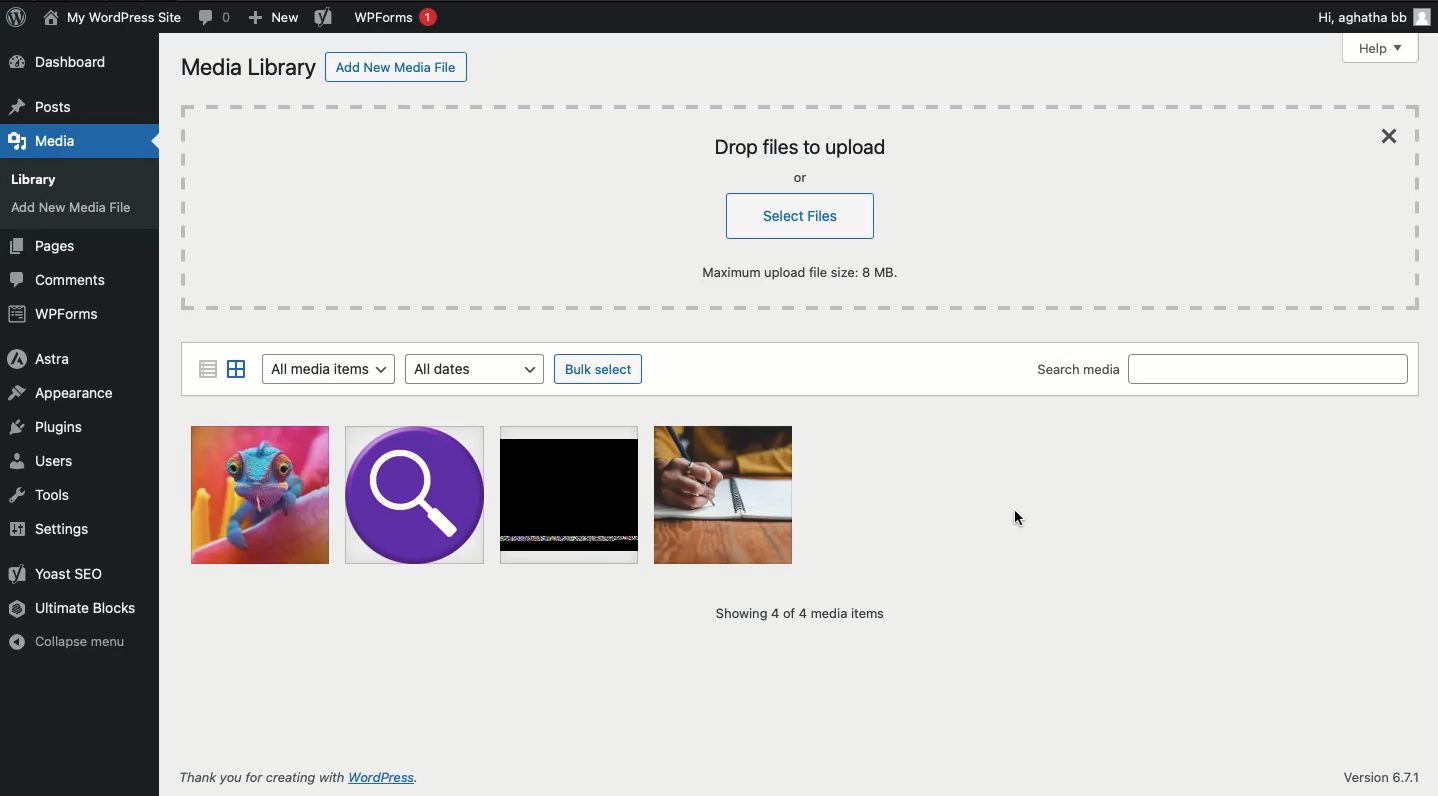 The height and width of the screenshot is (796, 1438). I want to click on Search, so click(1271, 369).